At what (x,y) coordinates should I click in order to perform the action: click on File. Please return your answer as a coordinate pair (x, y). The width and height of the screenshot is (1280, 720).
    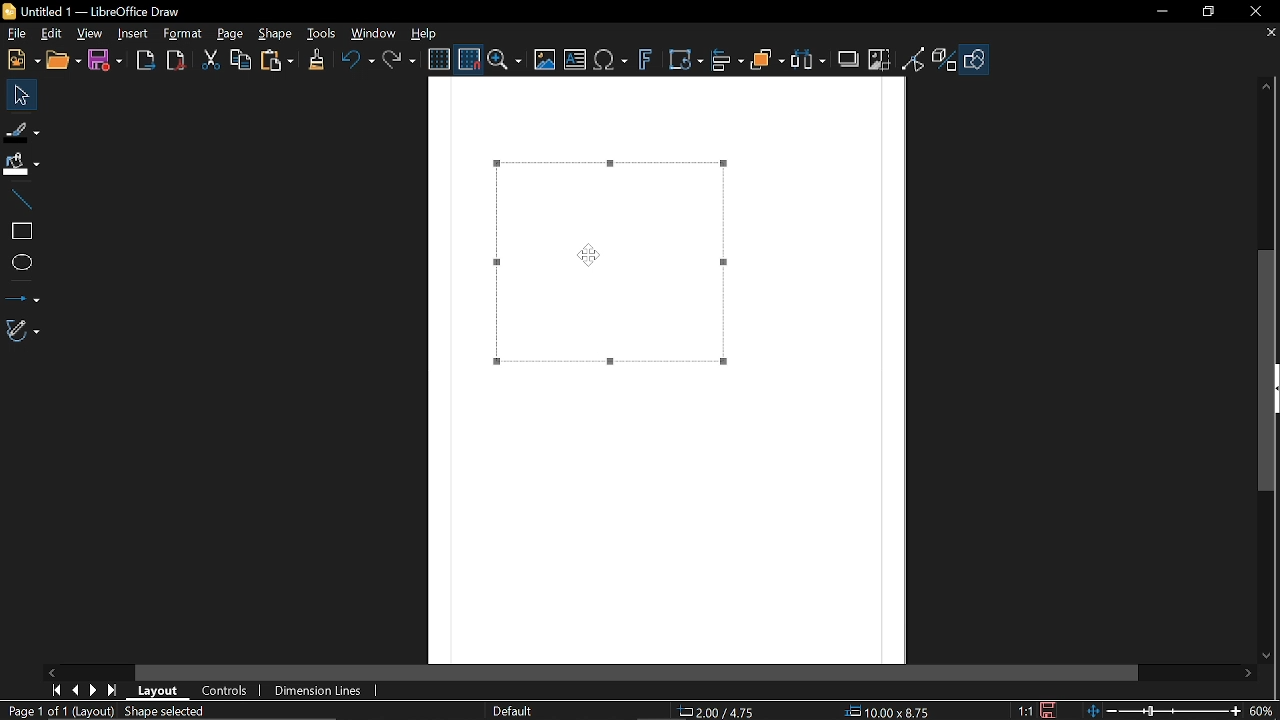
    Looking at the image, I should click on (16, 33).